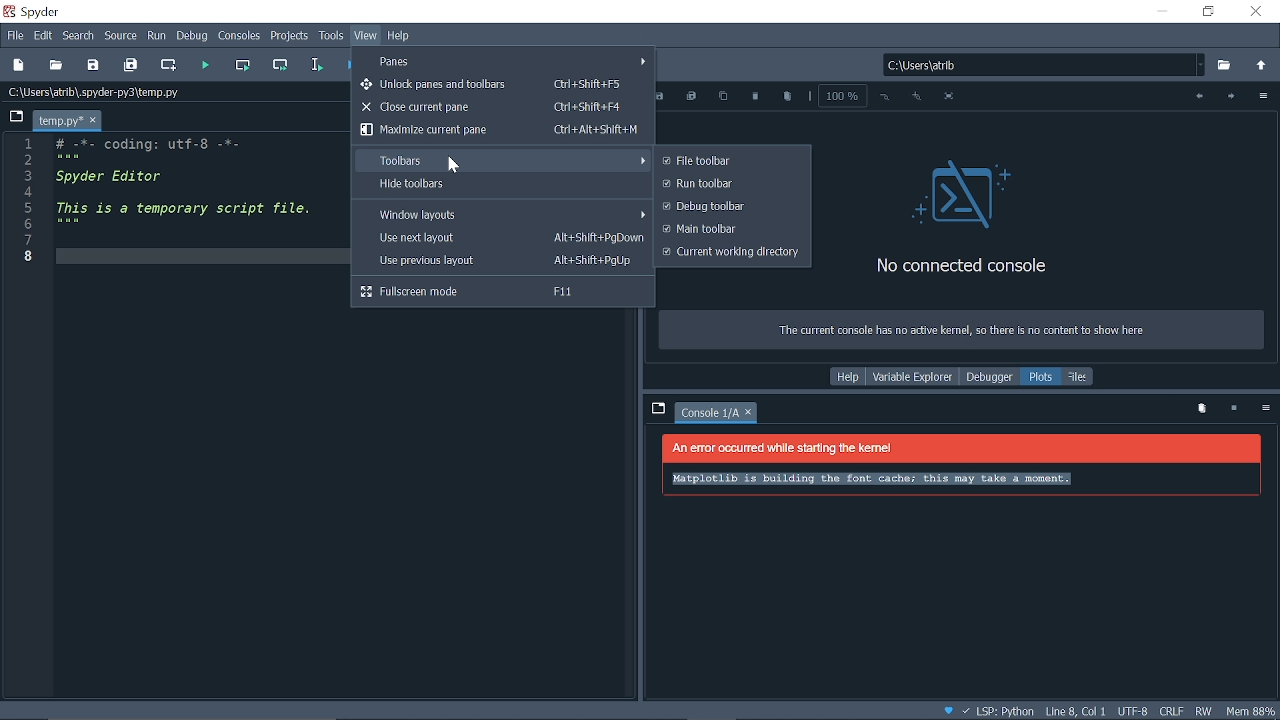  Describe the element at coordinates (840, 95) in the screenshot. I see `Current zoom` at that location.